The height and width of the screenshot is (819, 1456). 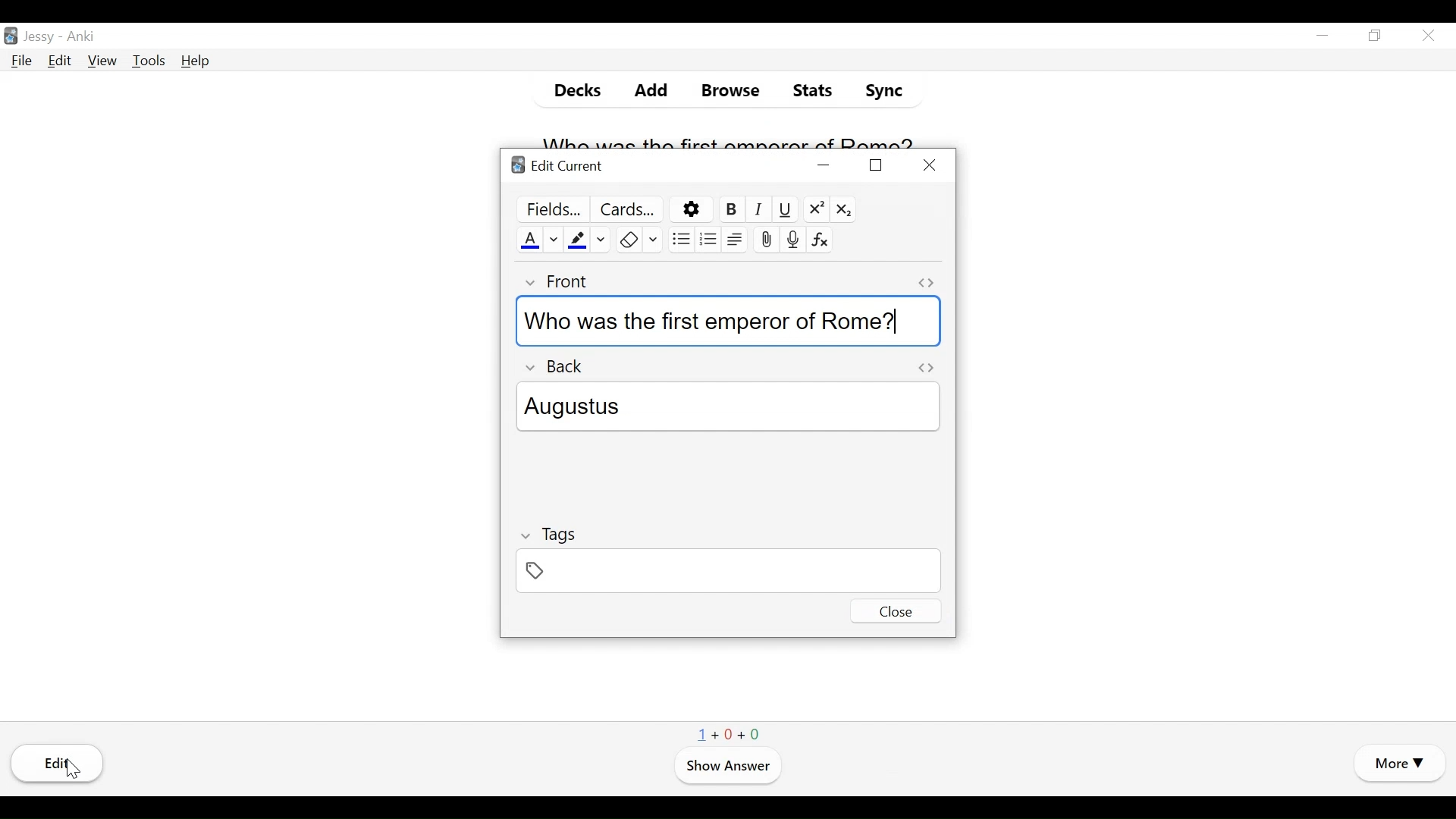 I want to click on Underline, so click(x=784, y=209).